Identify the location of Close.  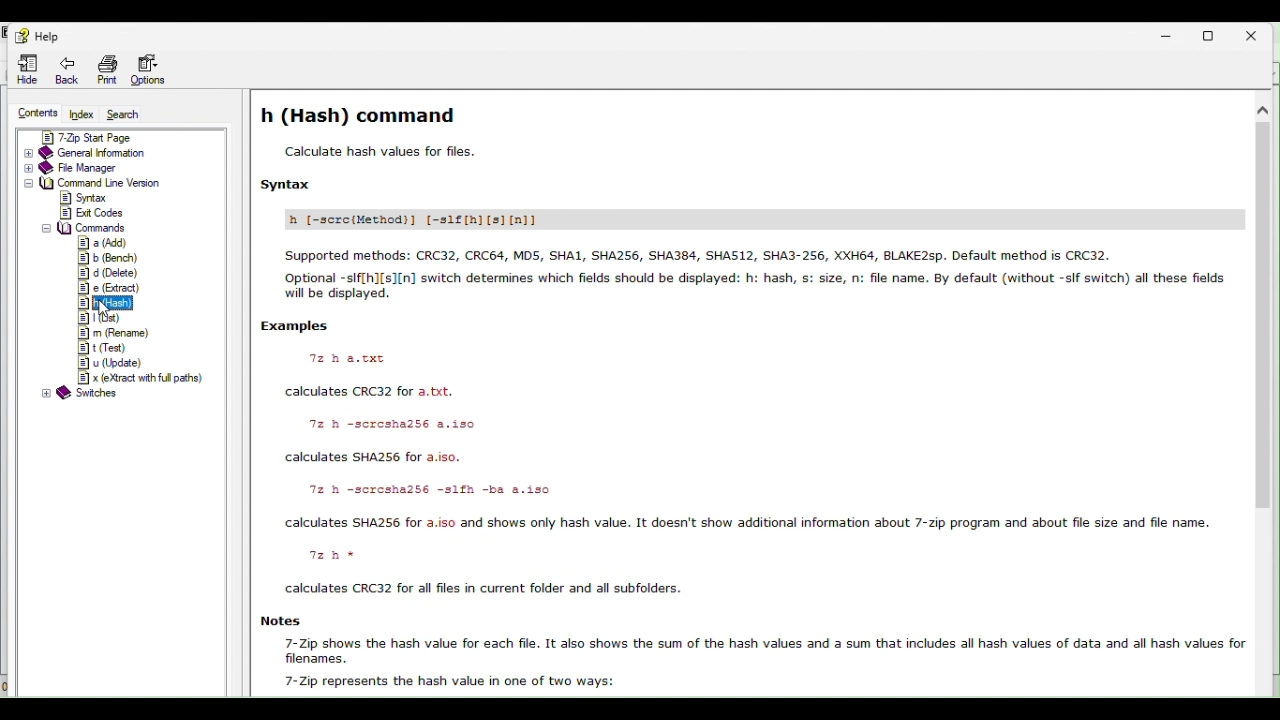
(1259, 31).